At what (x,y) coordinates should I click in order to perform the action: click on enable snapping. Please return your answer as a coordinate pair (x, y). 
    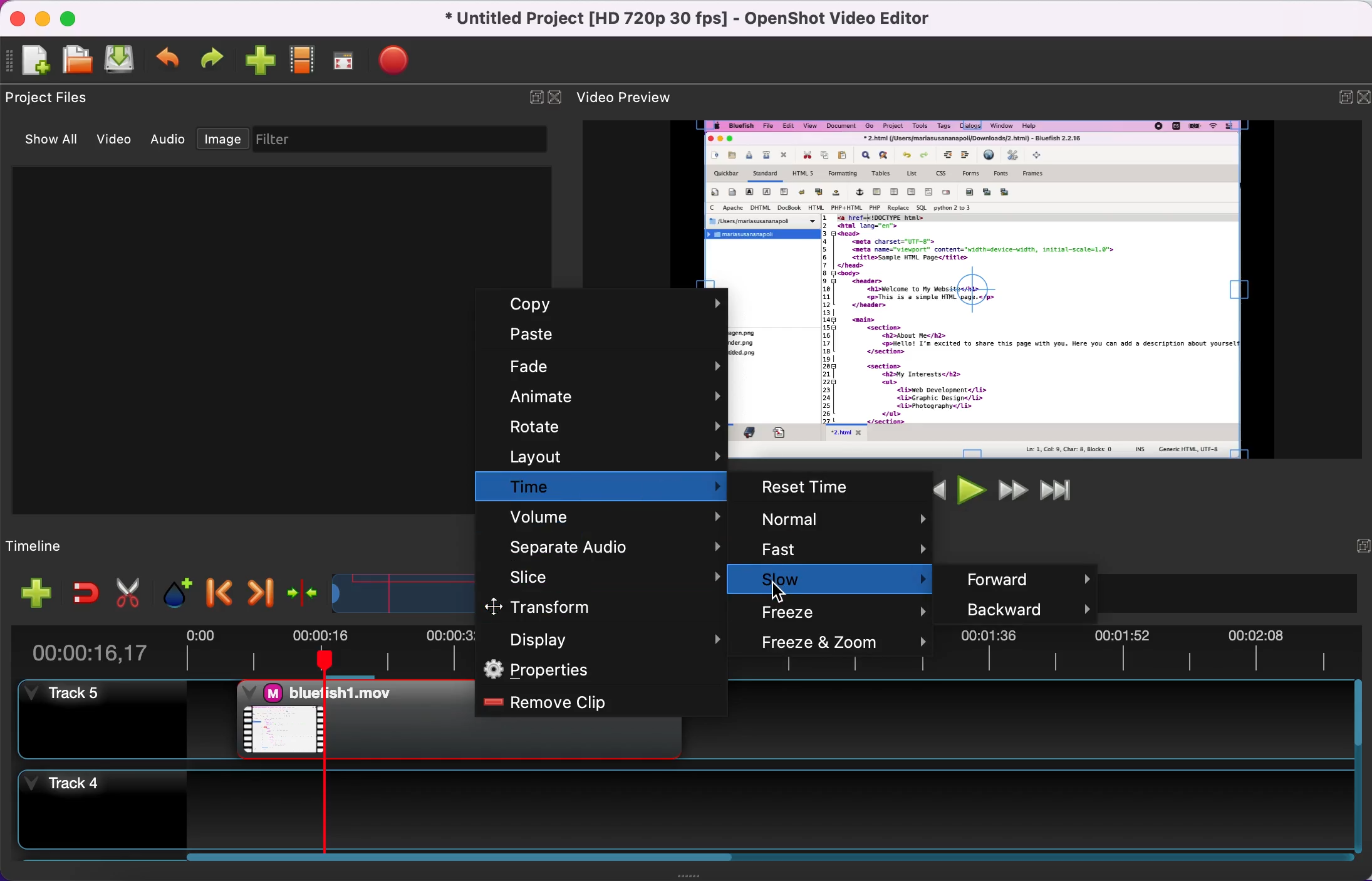
    Looking at the image, I should click on (80, 592).